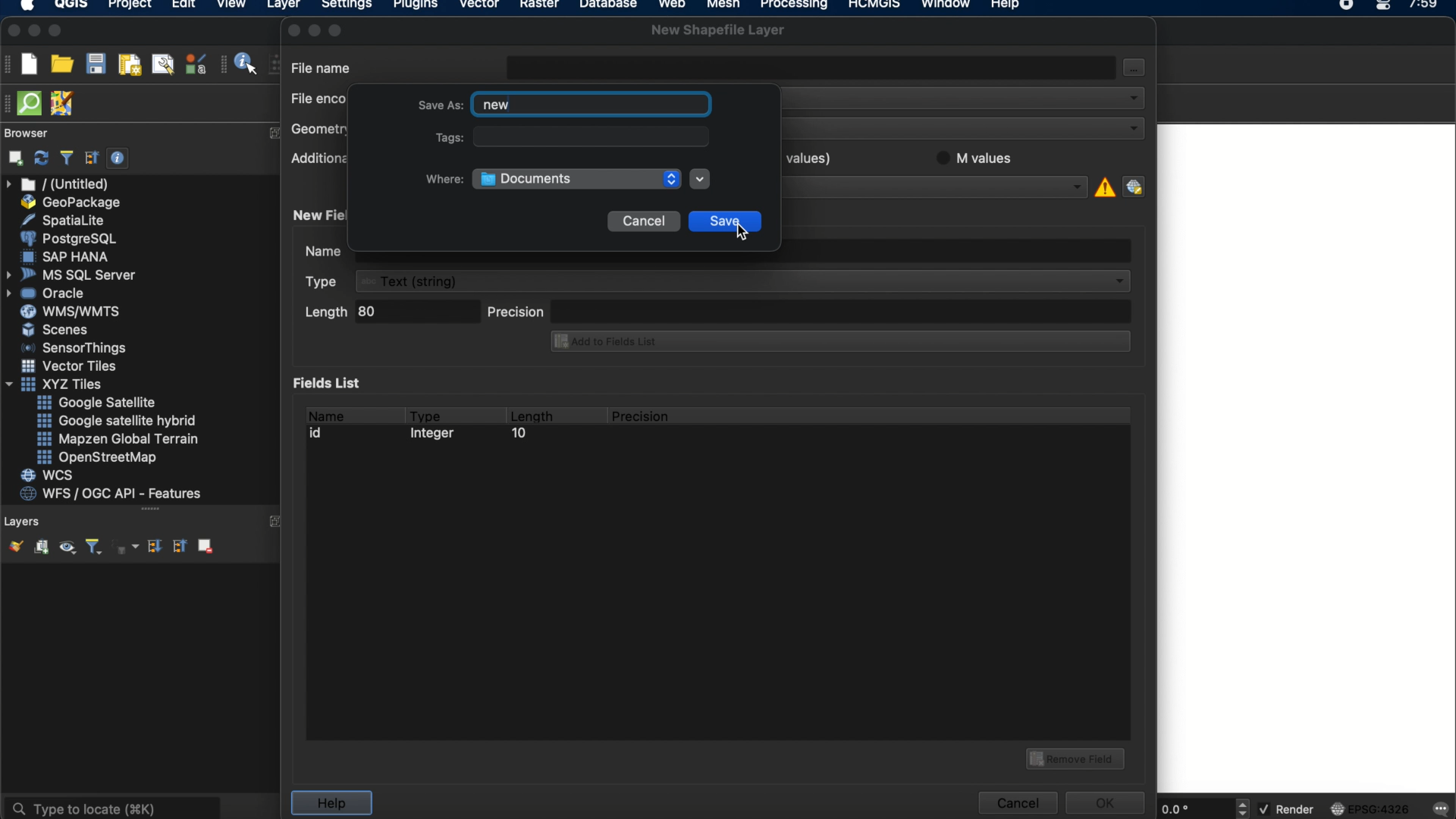  I want to click on M values, so click(982, 157).